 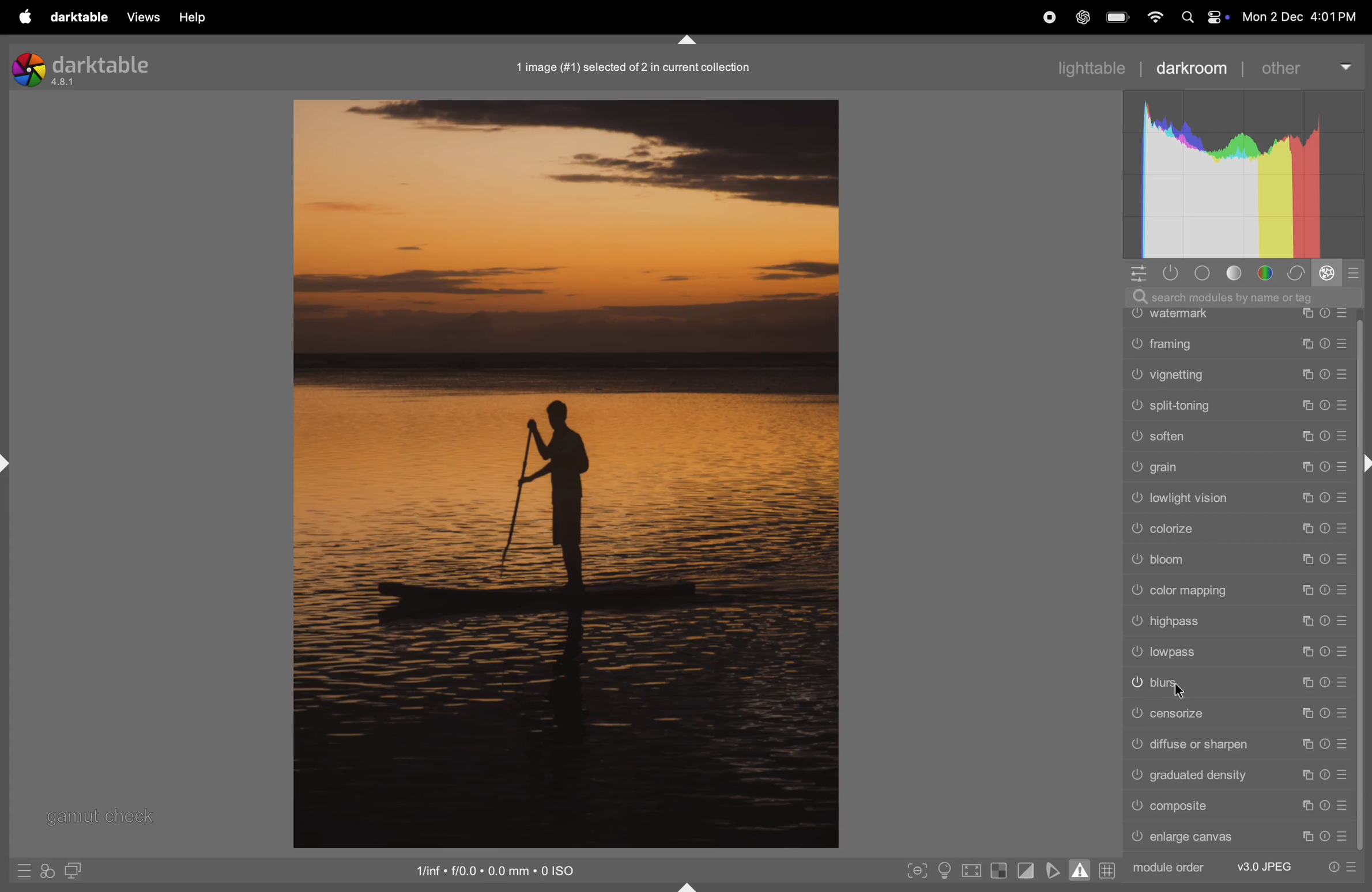 What do you see at coordinates (1247, 296) in the screenshot?
I see `search bar` at bounding box center [1247, 296].